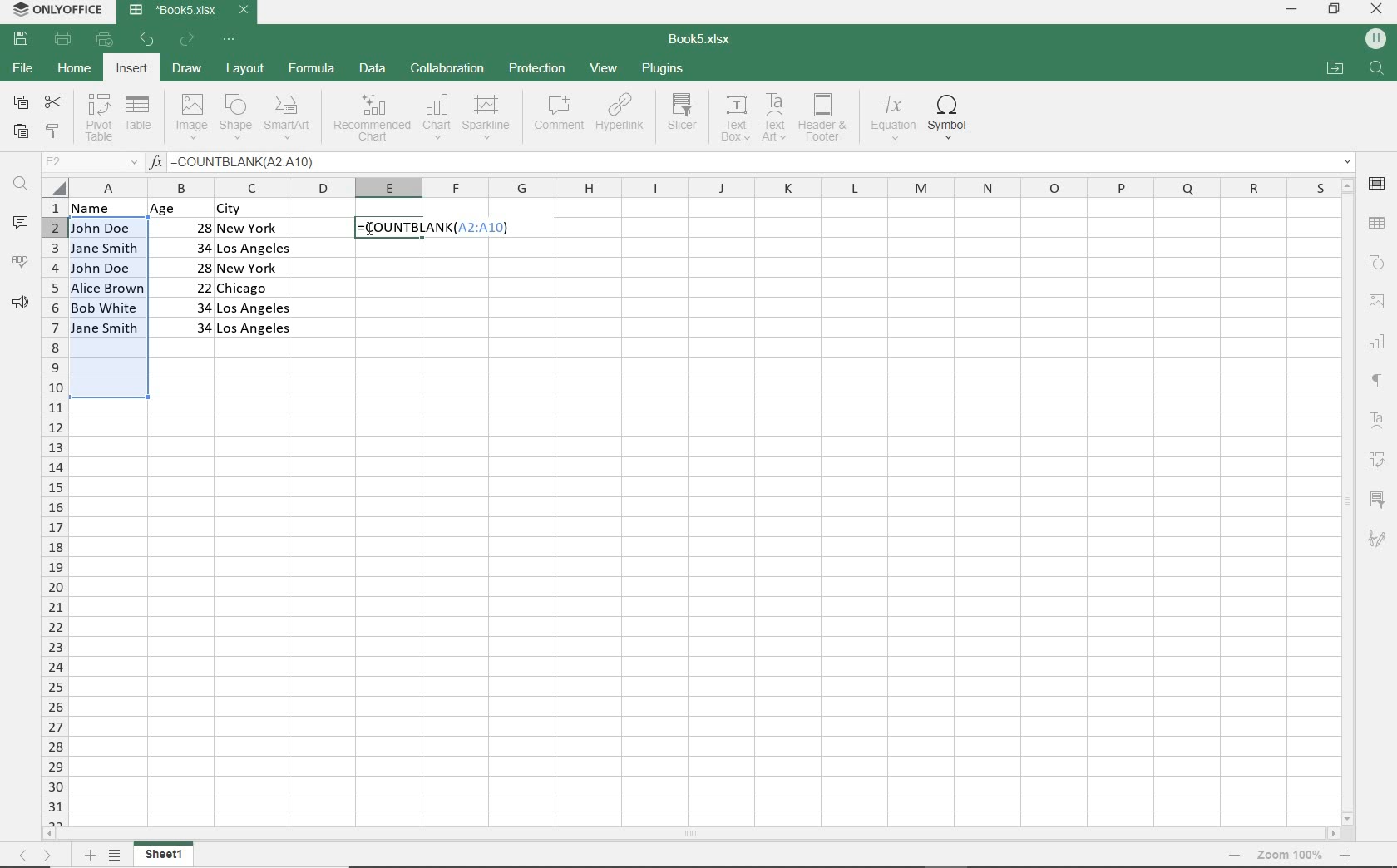 This screenshot has width=1397, height=868. What do you see at coordinates (375, 68) in the screenshot?
I see `DATA` at bounding box center [375, 68].